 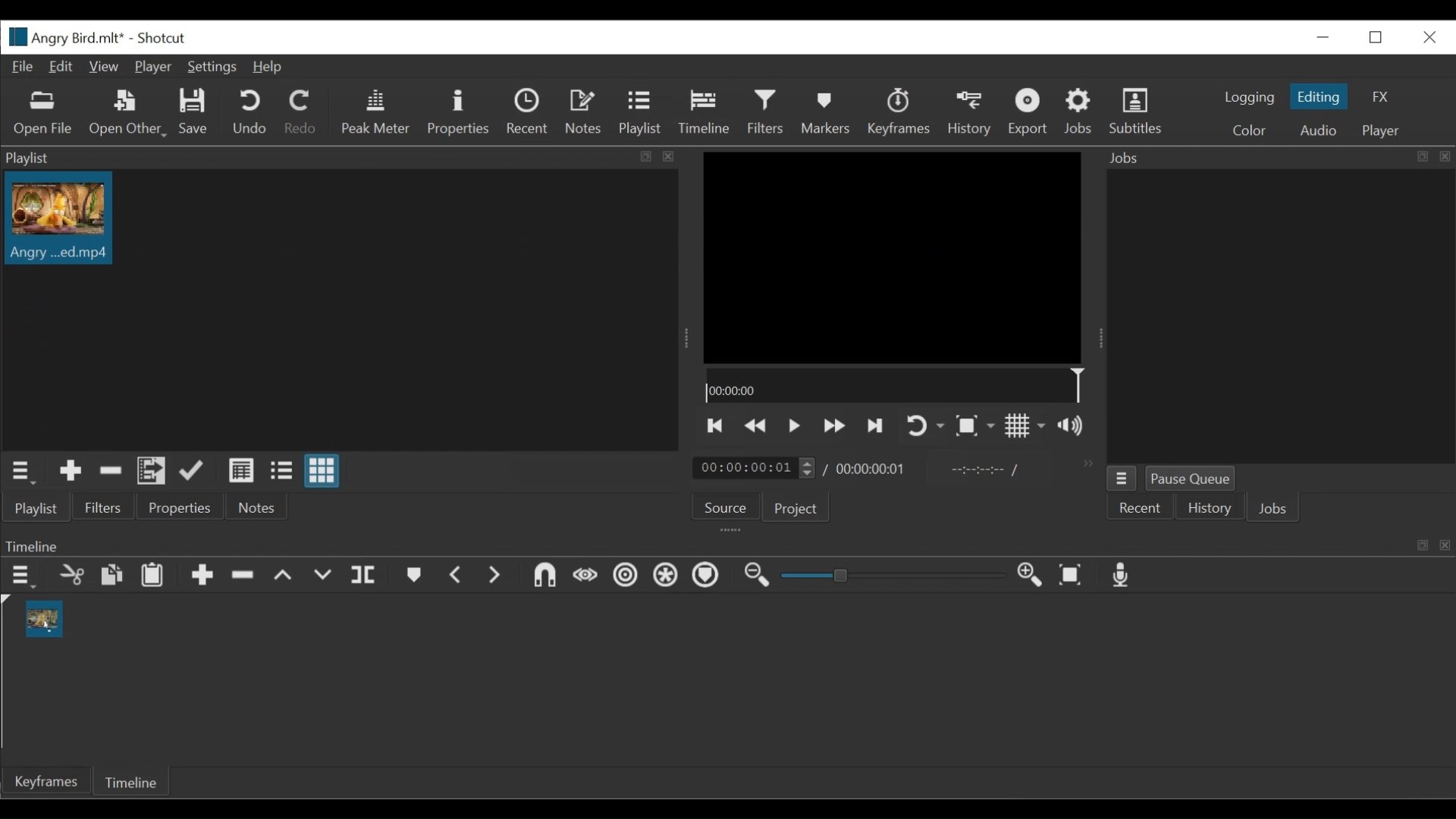 What do you see at coordinates (894, 256) in the screenshot?
I see `Media Viewer` at bounding box center [894, 256].